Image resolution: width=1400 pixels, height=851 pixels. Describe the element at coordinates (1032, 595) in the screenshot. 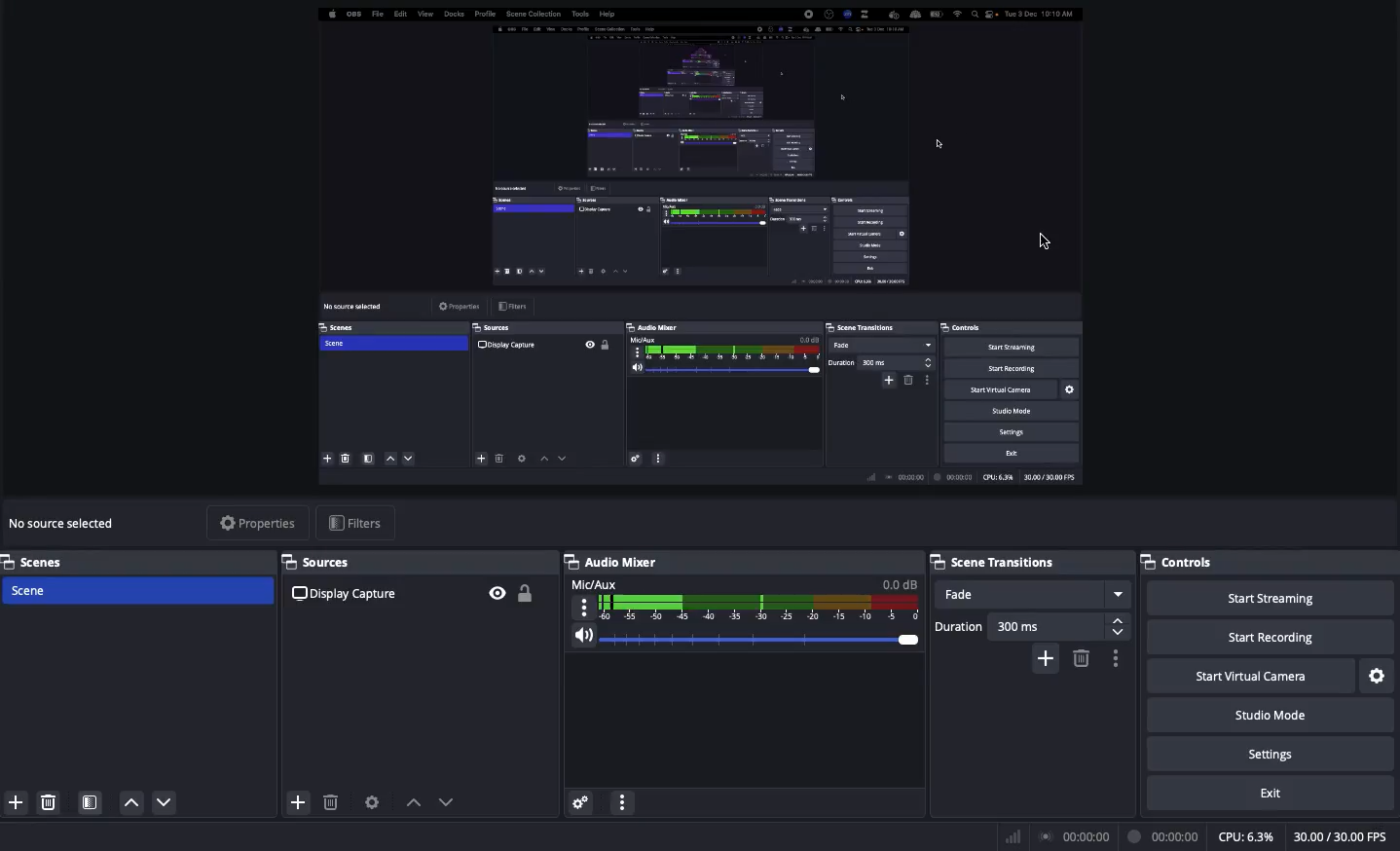

I see `Fade` at that location.